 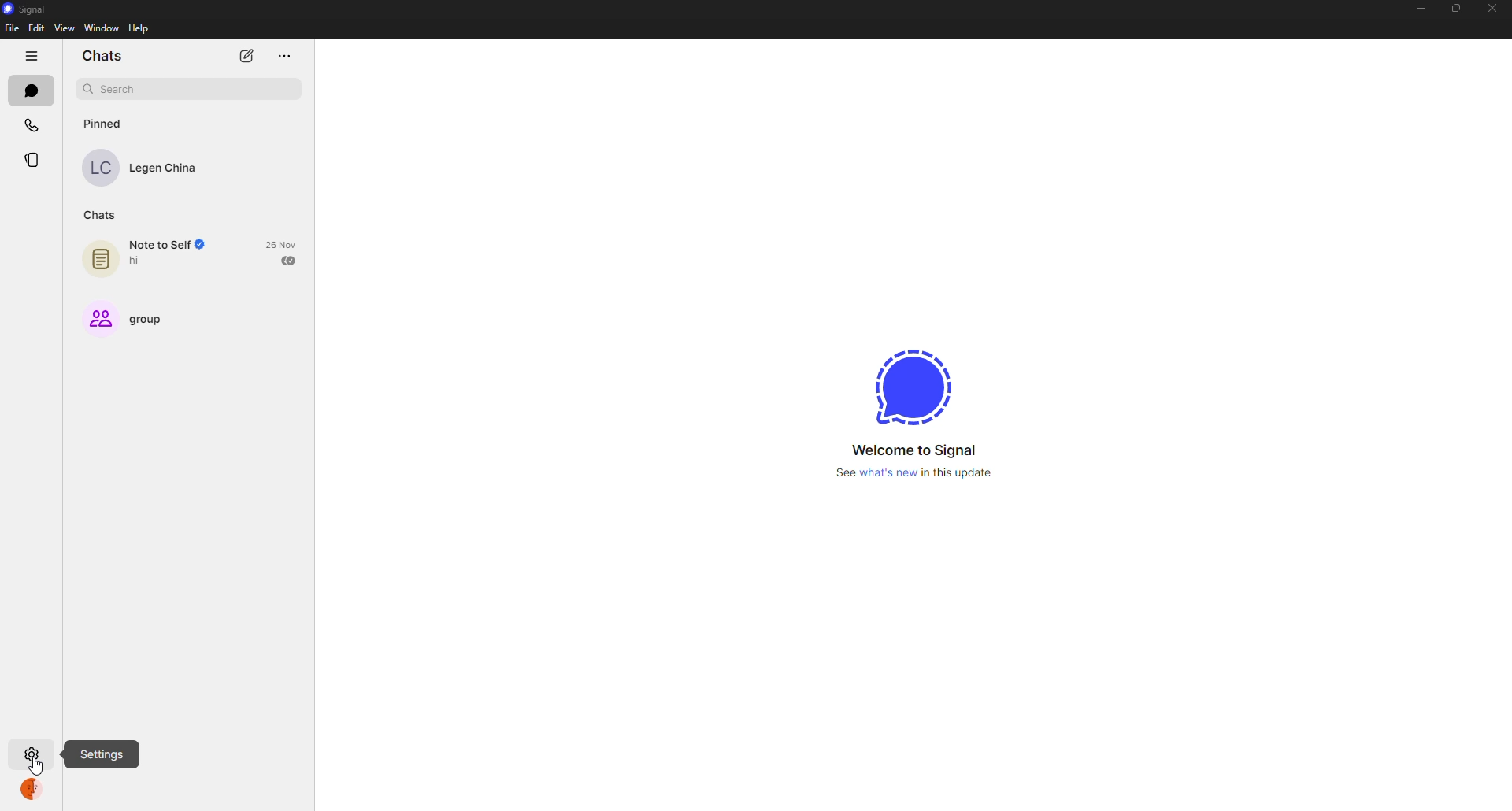 What do you see at coordinates (918, 450) in the screenshot?
I see `welcome to signal` at bounding box center [918, 450].